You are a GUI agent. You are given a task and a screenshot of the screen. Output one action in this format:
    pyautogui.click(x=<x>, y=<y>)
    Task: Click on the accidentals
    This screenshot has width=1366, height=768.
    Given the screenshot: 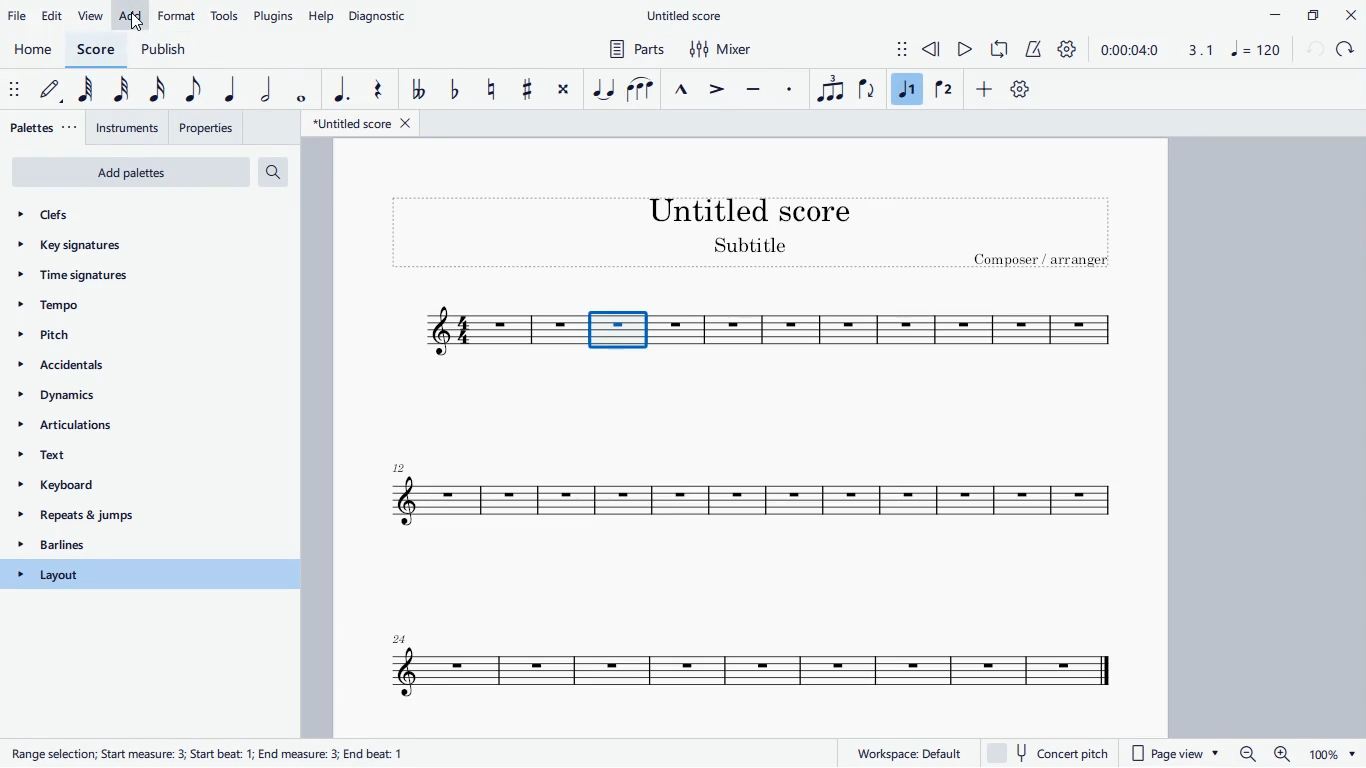 What is the action you would take?
    pyautogui.click(x=92, y=368)
    